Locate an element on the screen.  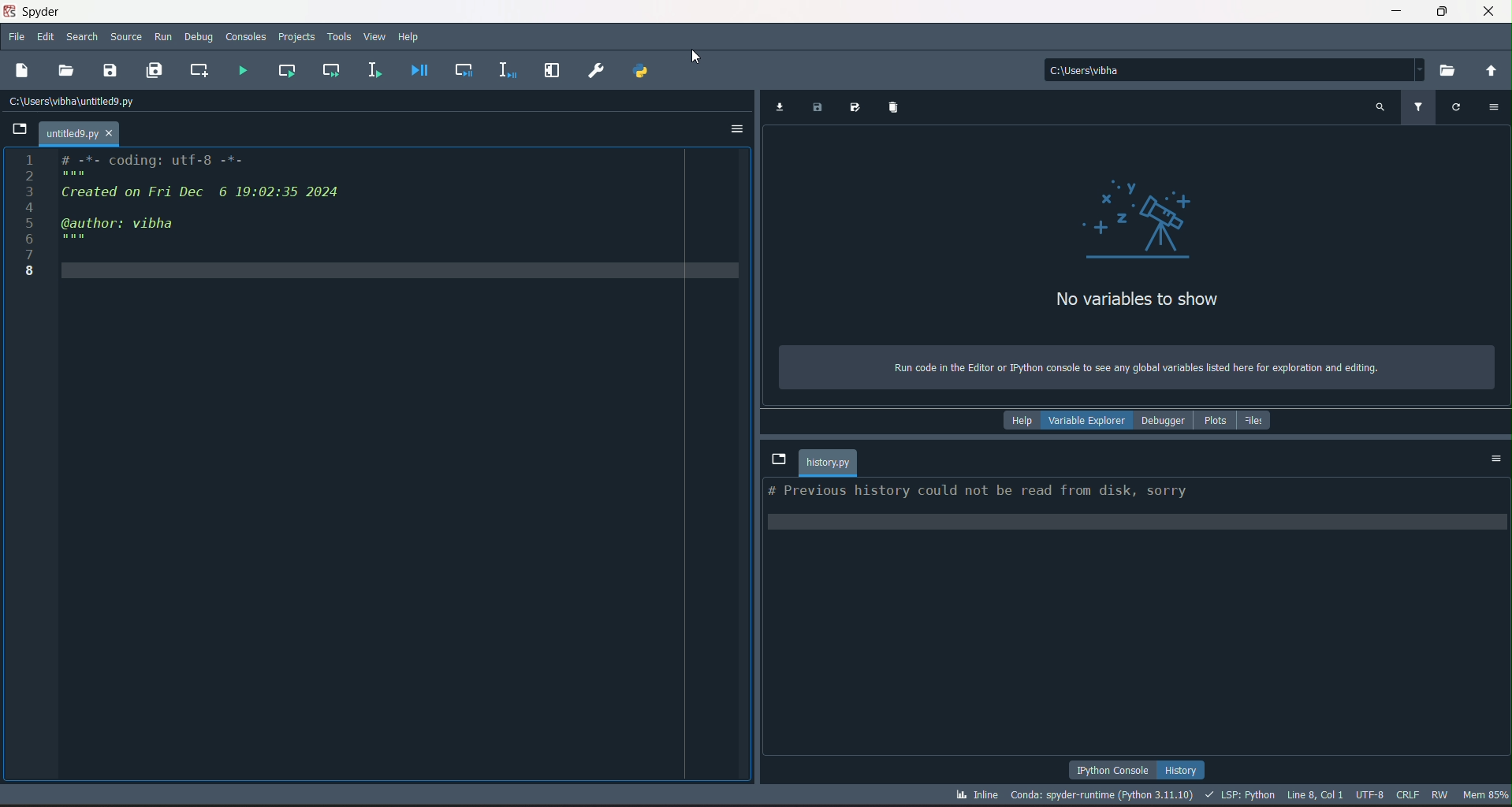
help is located at coordinates (1019, 421).